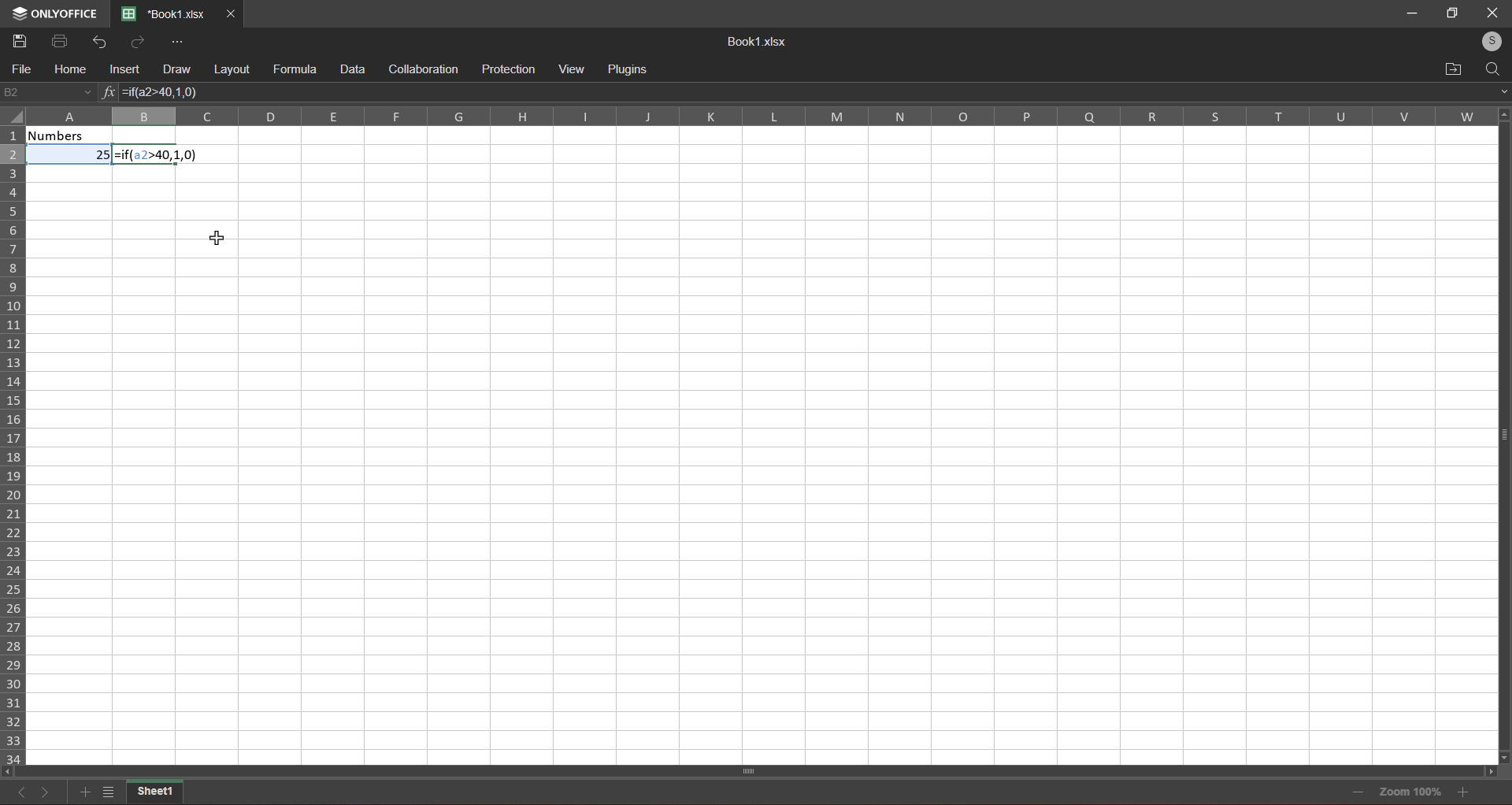  What do you see at coordinates (20, 70) in the screenshot?
I see `file` at bounding box center [20, 70].